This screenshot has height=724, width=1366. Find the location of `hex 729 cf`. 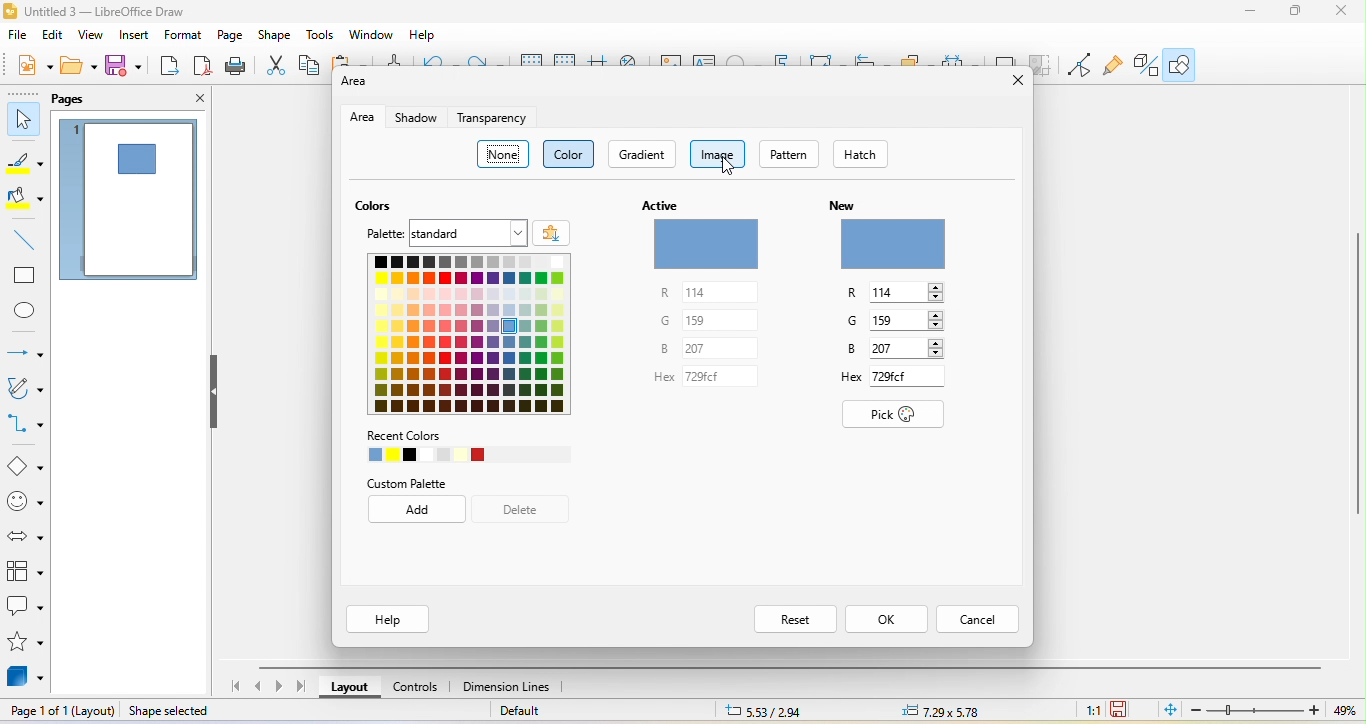

hex 729 cf is located at coordinates (707, 379).